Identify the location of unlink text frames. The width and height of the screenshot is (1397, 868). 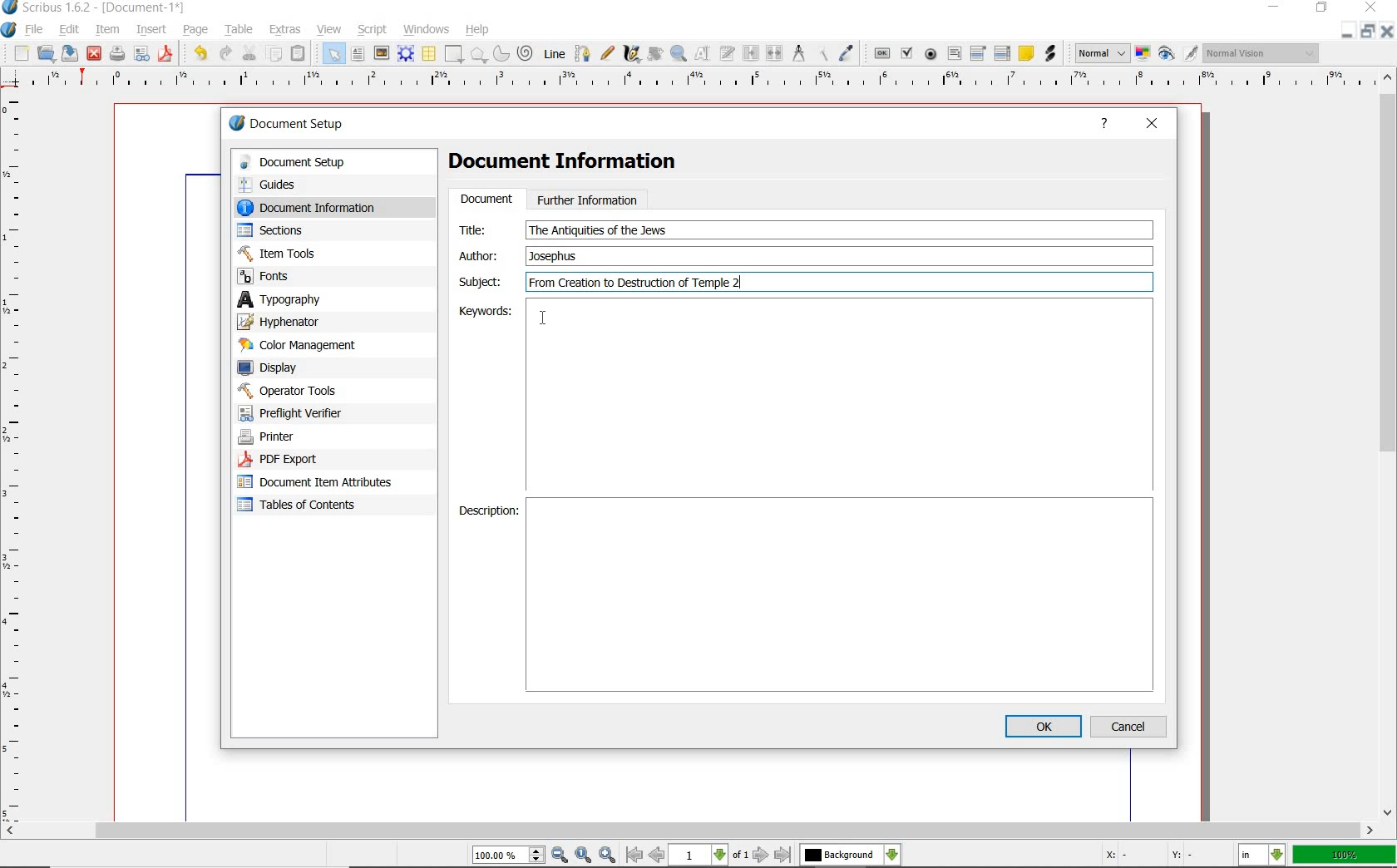
(775, 52).